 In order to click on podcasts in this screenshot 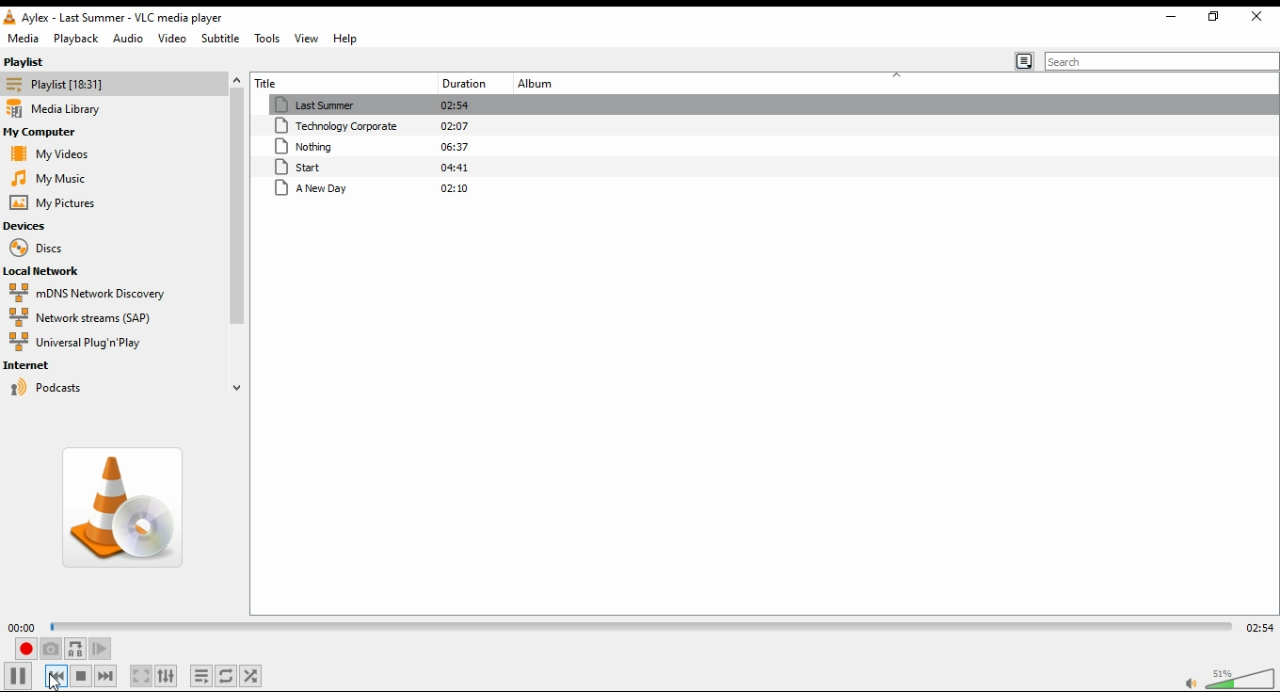, I will do `click(92, 389)`.